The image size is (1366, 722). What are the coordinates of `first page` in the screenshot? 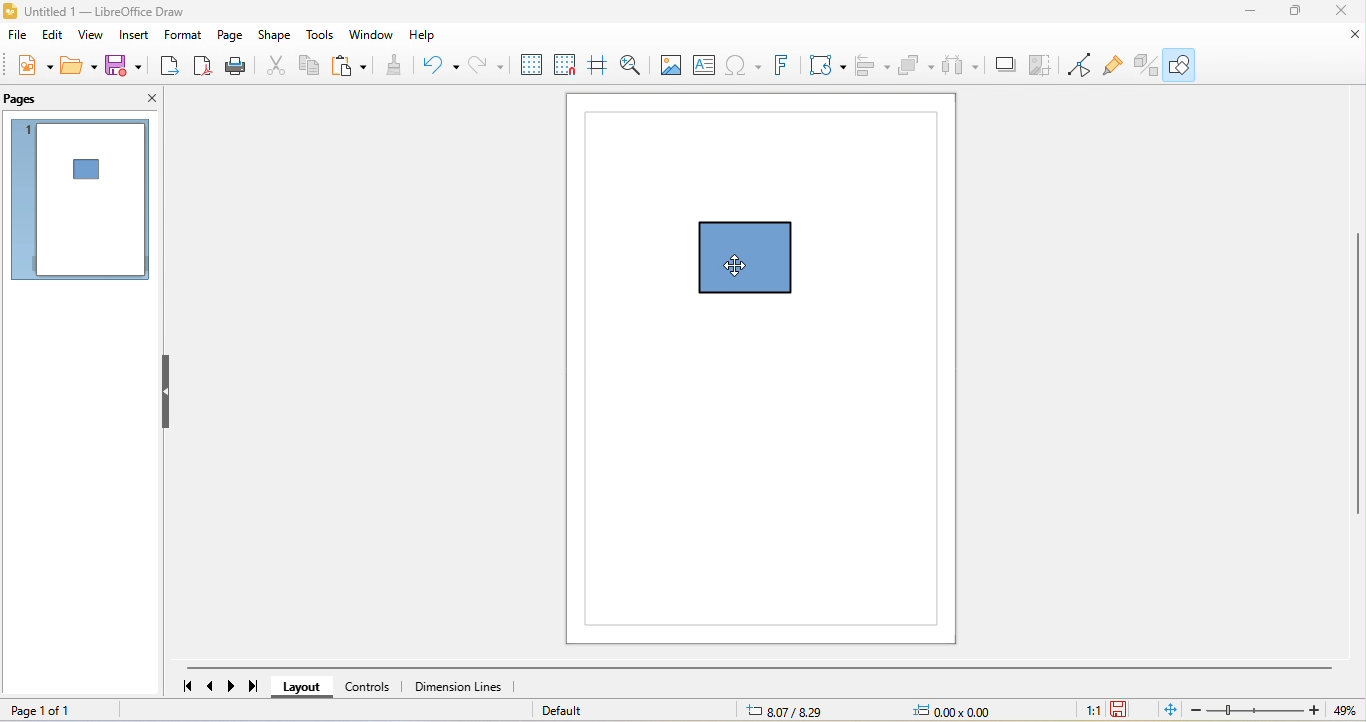 It's located at (181, 687).